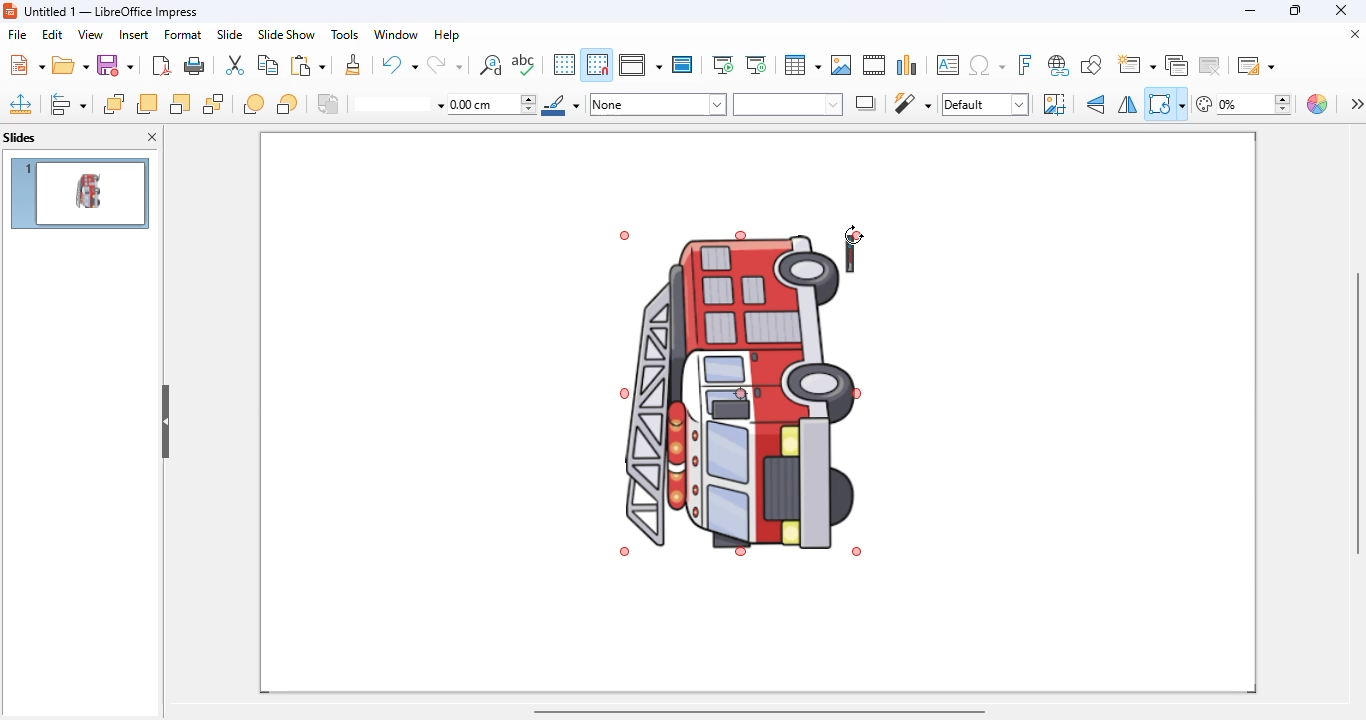 The image size is (1366, 720). What do you see at coordinates (344, 34) in the screenshot?
I see `tools` at bounding box center [344, 34].